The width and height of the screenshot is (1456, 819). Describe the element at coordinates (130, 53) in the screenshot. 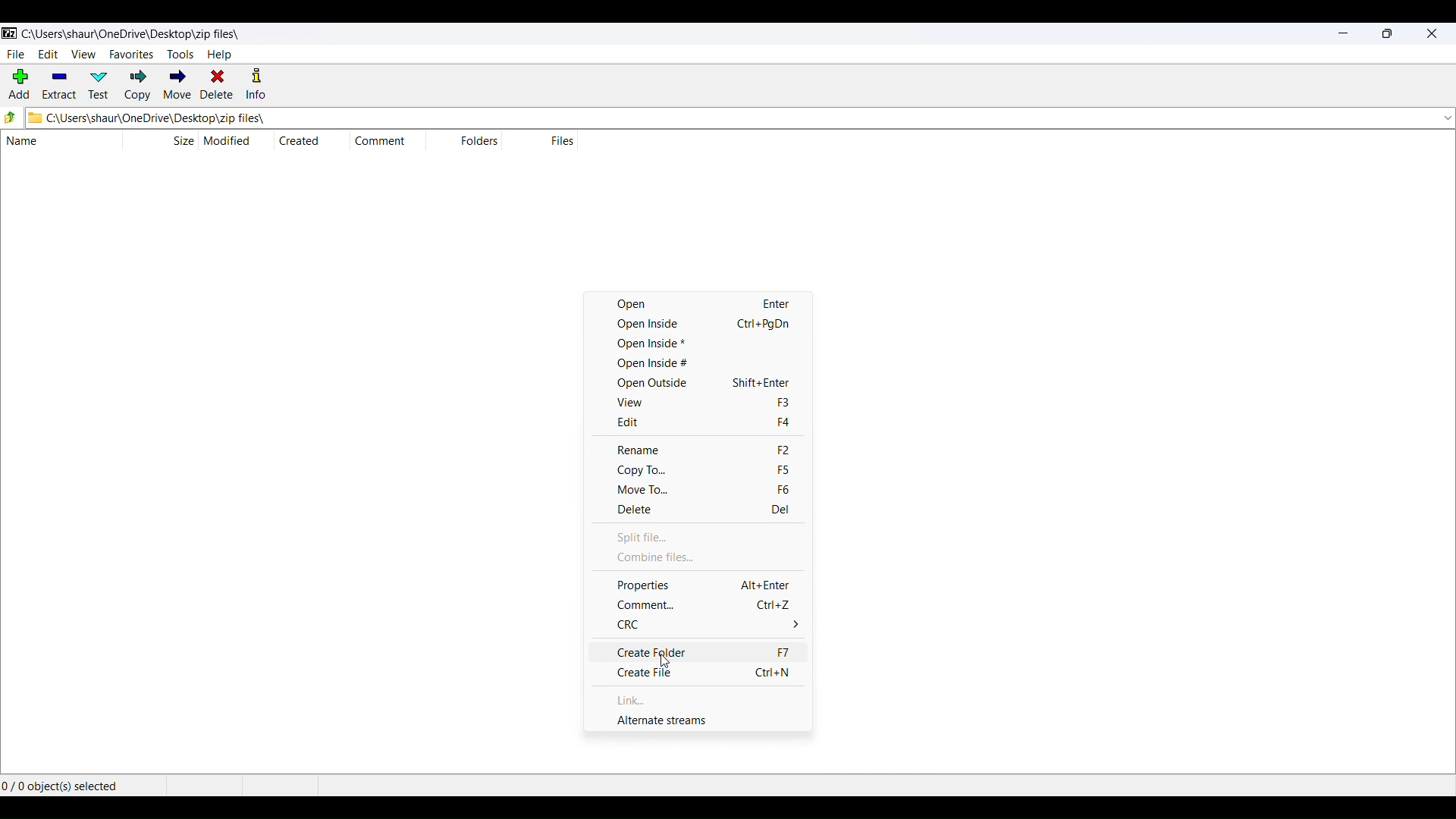

I see `FAVORITES` at that location.